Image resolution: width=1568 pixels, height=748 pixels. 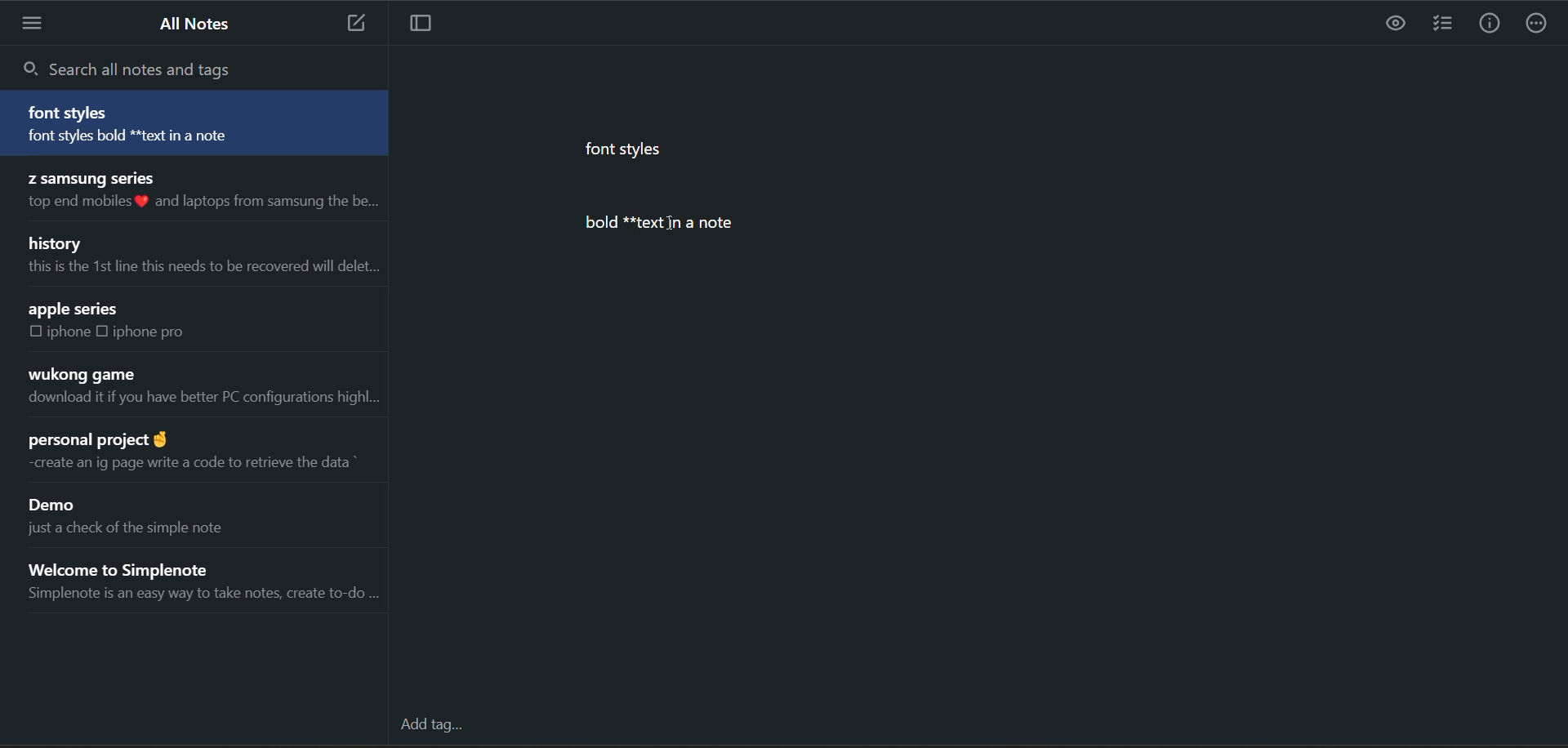 What do you see at coordinates (1537, 26) in the screenshot?
I see `actions` at bounding box center [1537, 26].